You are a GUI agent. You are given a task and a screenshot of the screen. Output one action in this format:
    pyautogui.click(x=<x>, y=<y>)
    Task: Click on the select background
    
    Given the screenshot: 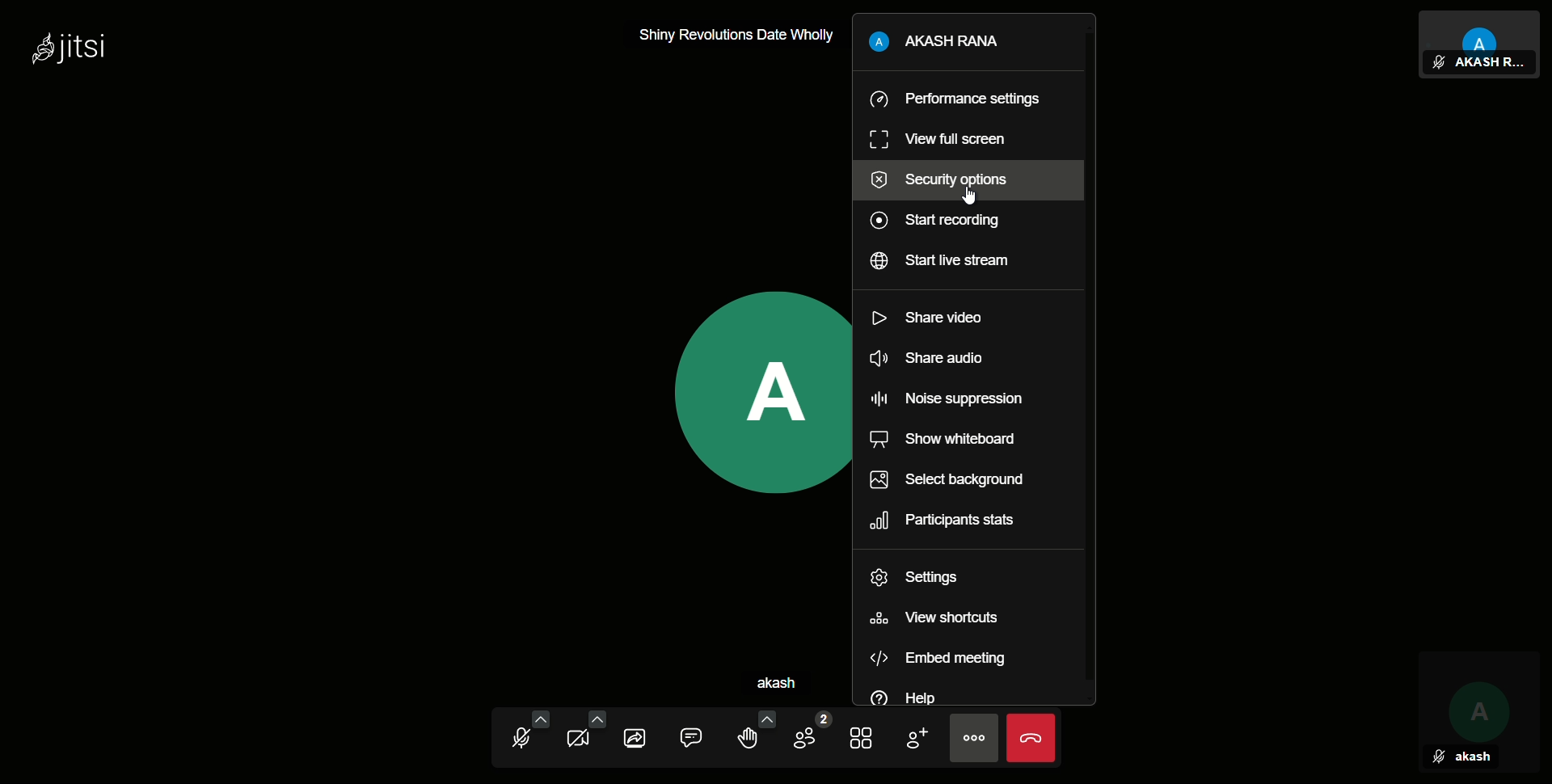 What is the action you would take?
    pyautogui.click(x=944, y=480)
    